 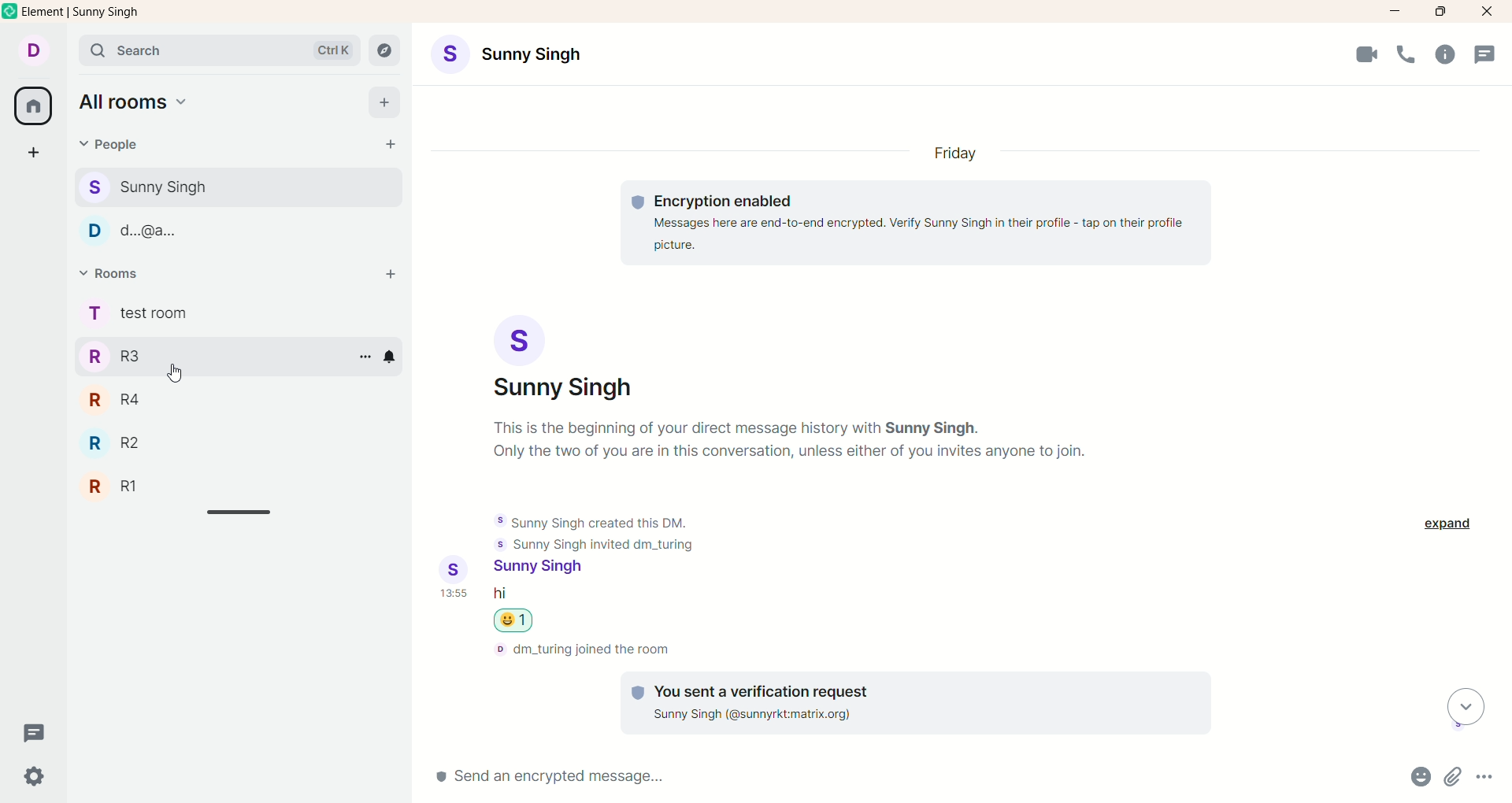 I want to click on add, so click(x=389, y=279).